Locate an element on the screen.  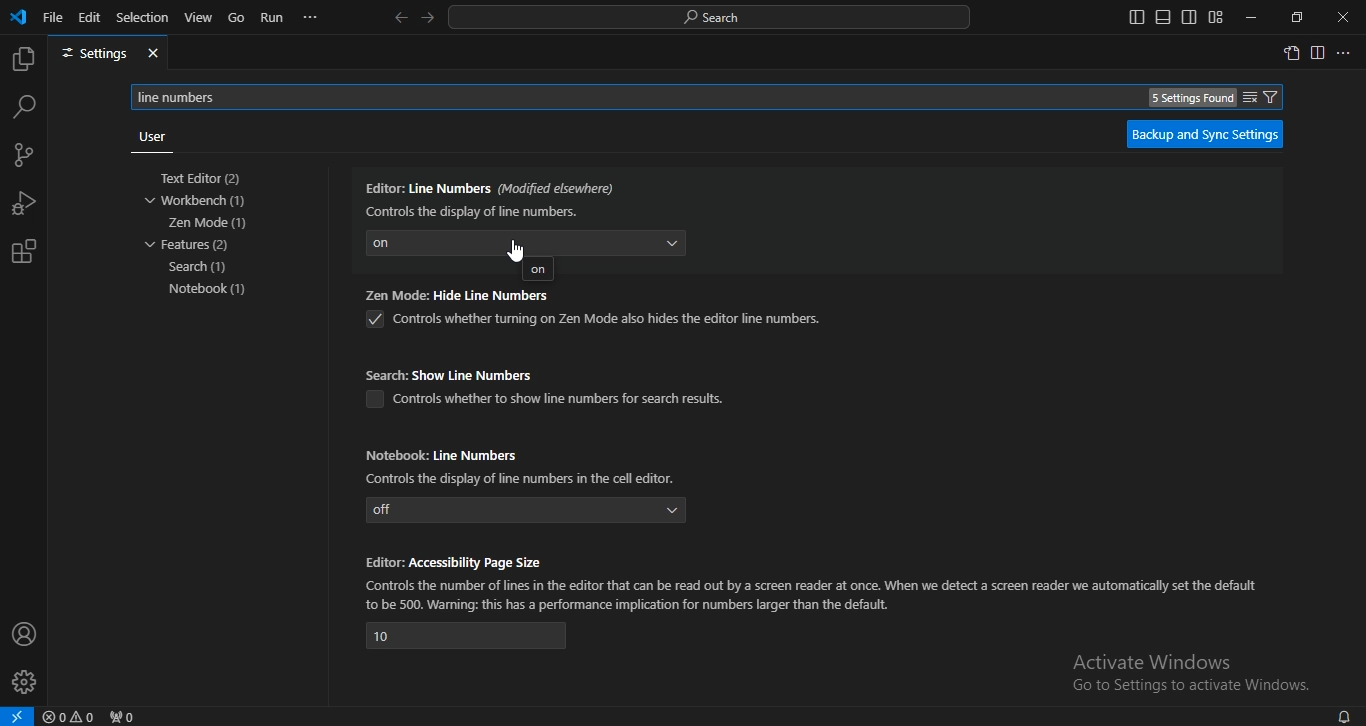
user is located at coordinates (150, 137).